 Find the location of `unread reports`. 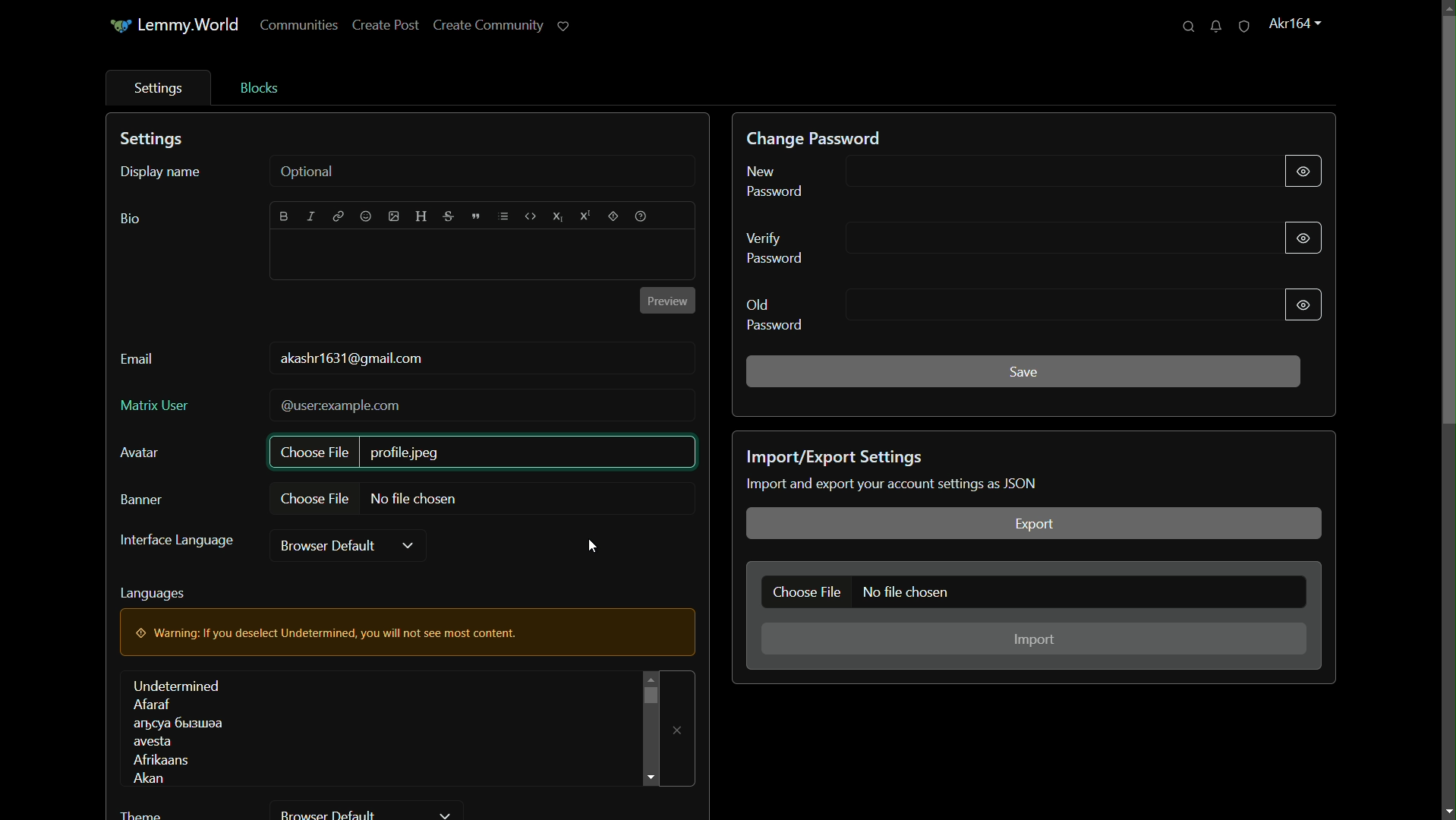

unread reports is located at coordinates (1243, 27).